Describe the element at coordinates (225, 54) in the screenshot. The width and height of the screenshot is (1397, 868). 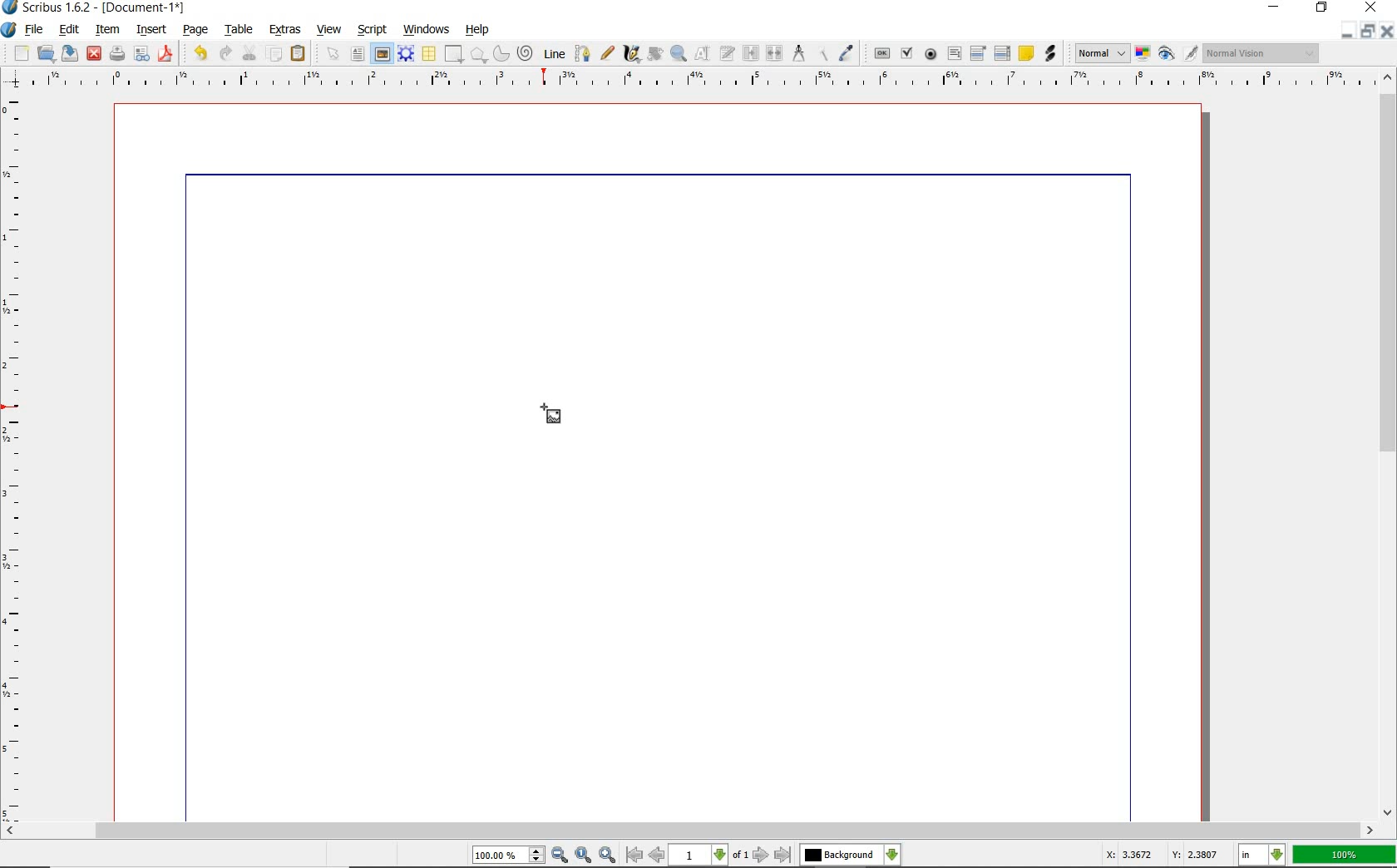
I see `redo` at that location.